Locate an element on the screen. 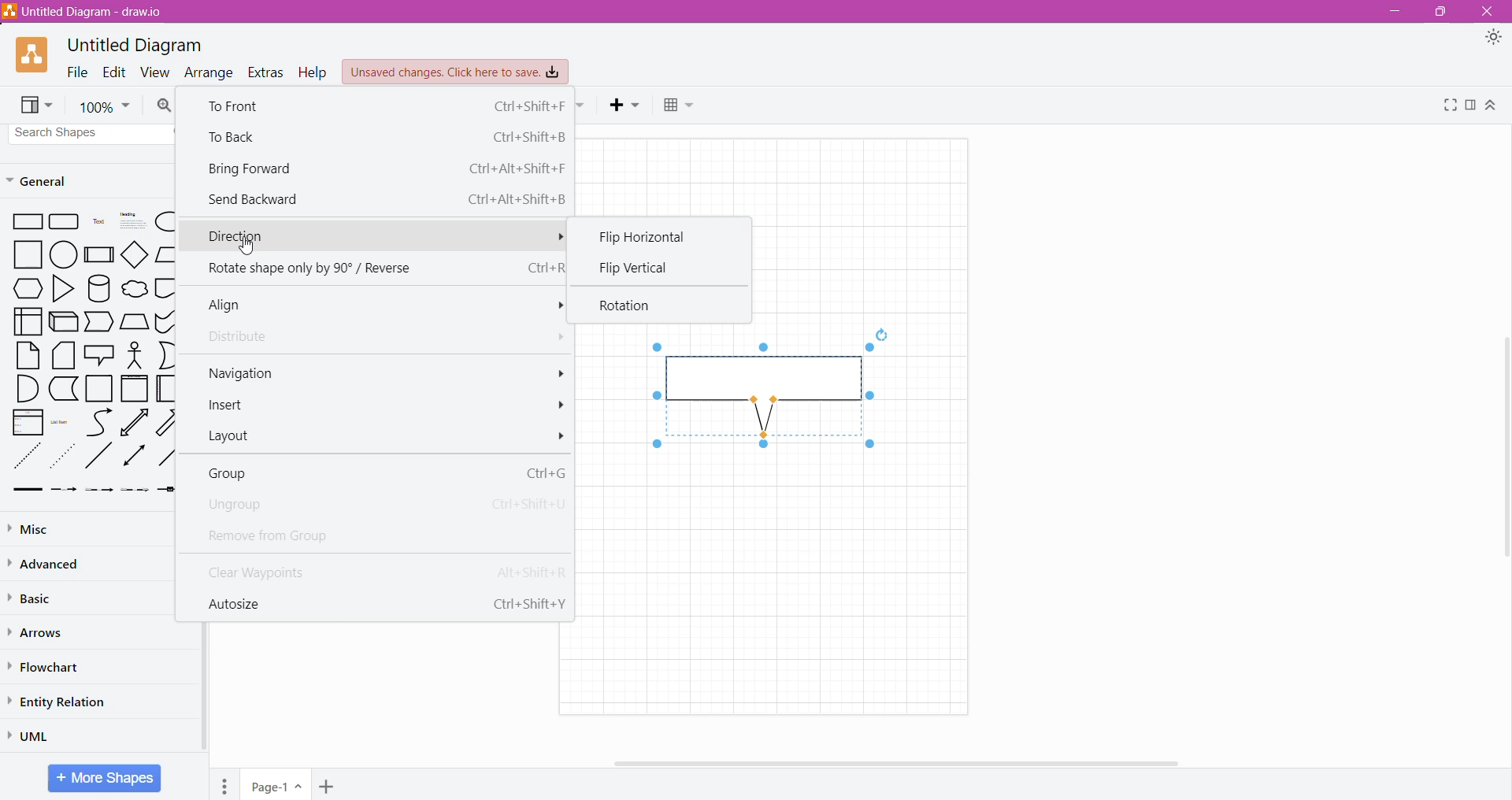 This screenshot has width=1512, height=800. Square is located at coordinates (22, 255).